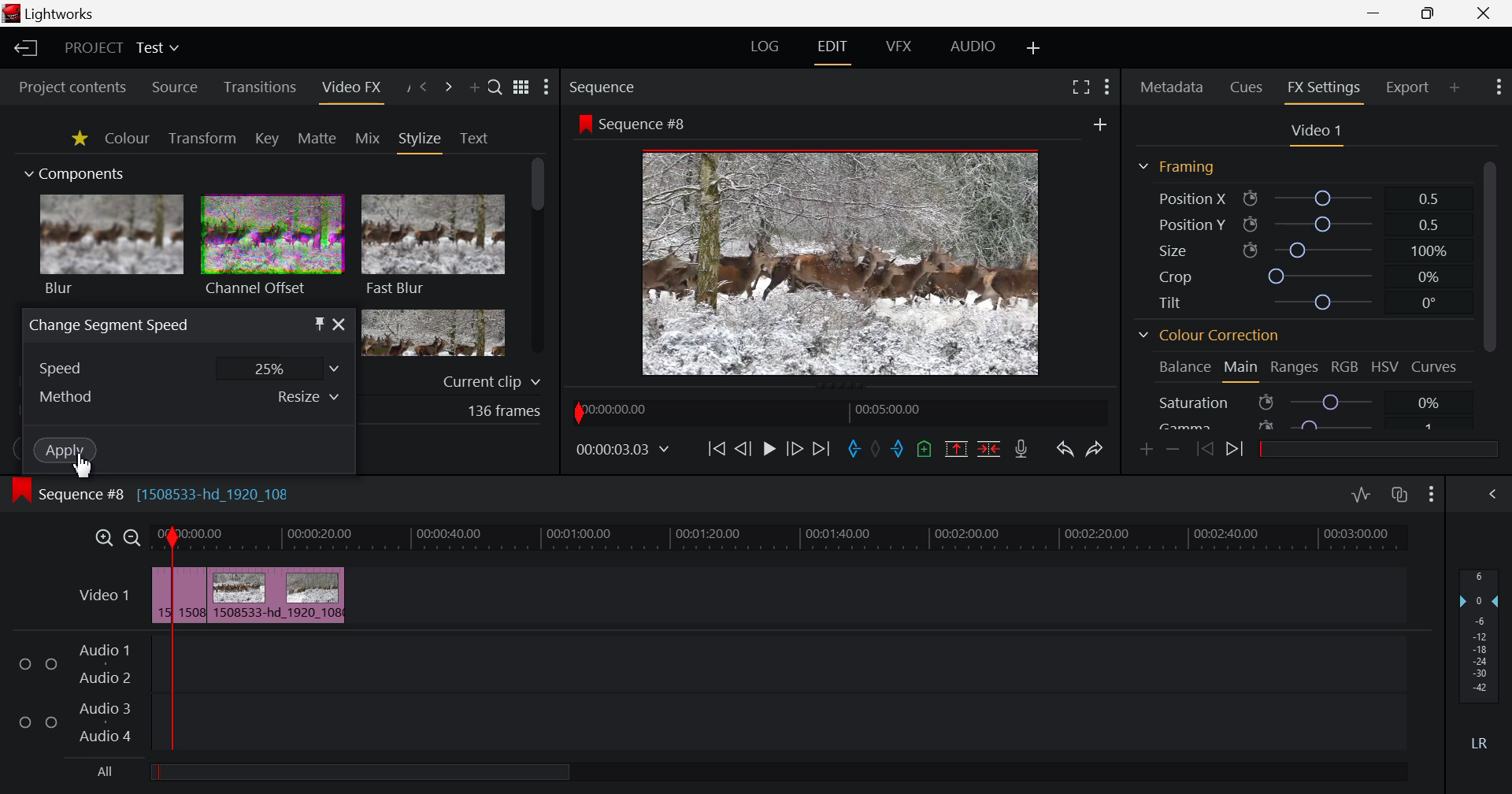 This screenshot has width=1512, height=794. Describe the element at coordinates (1024, 449) in the screenshot. I see `Record Voiceover` at that location.